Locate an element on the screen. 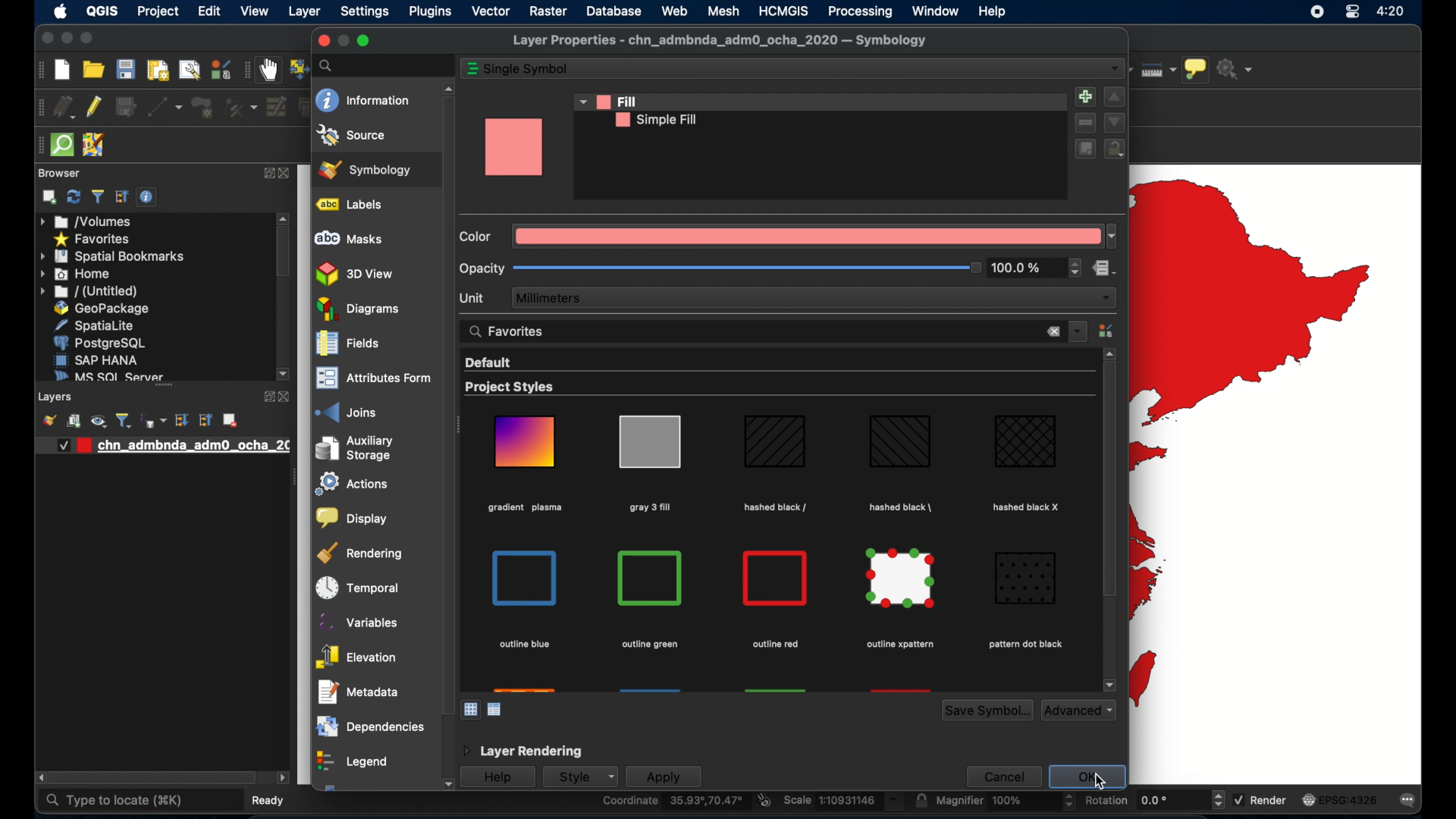 The image size is (1456, 819). web is located at coordinates (674, 11).